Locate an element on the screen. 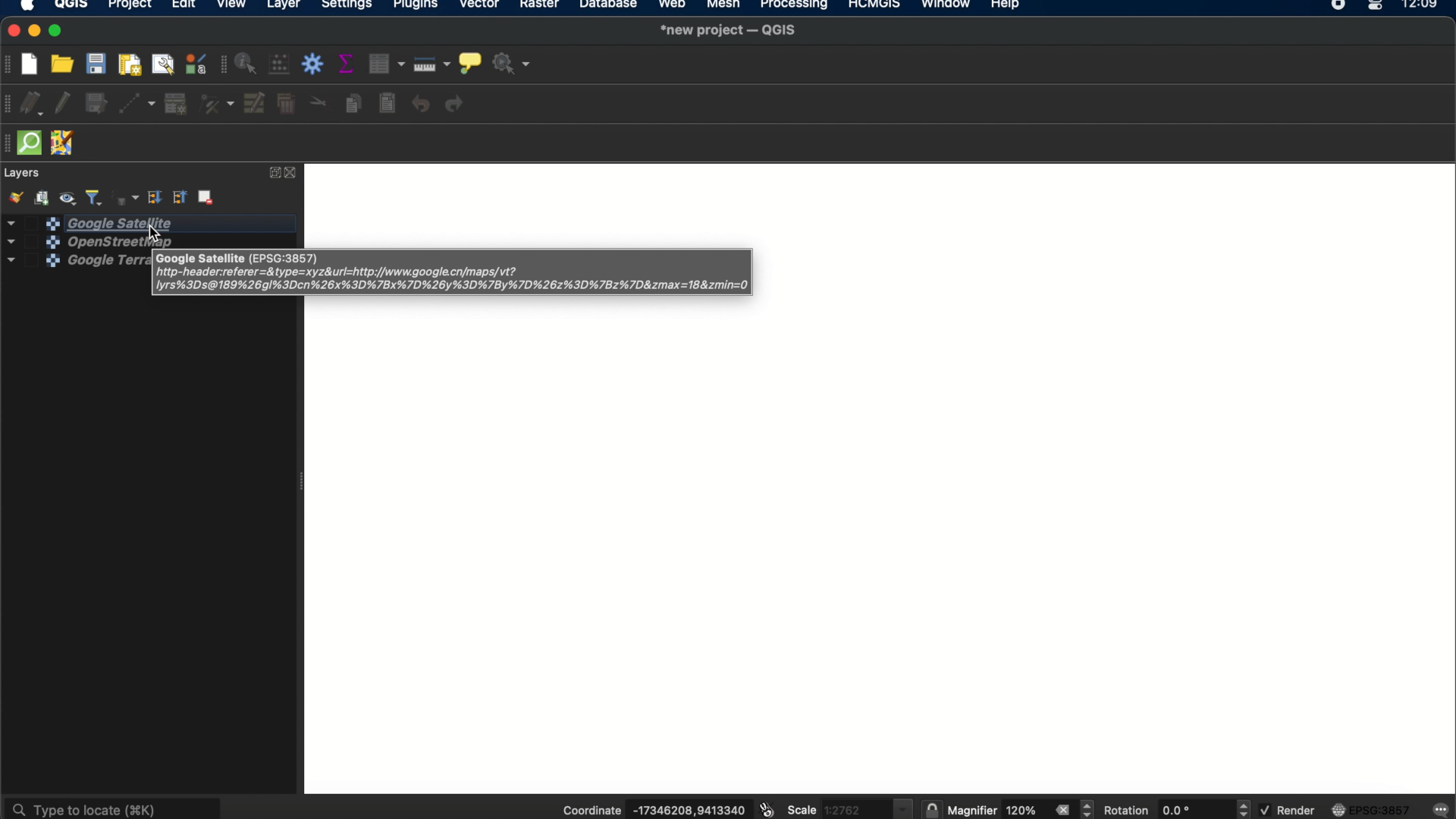  quickOSm is located at coordinates (33, 143).